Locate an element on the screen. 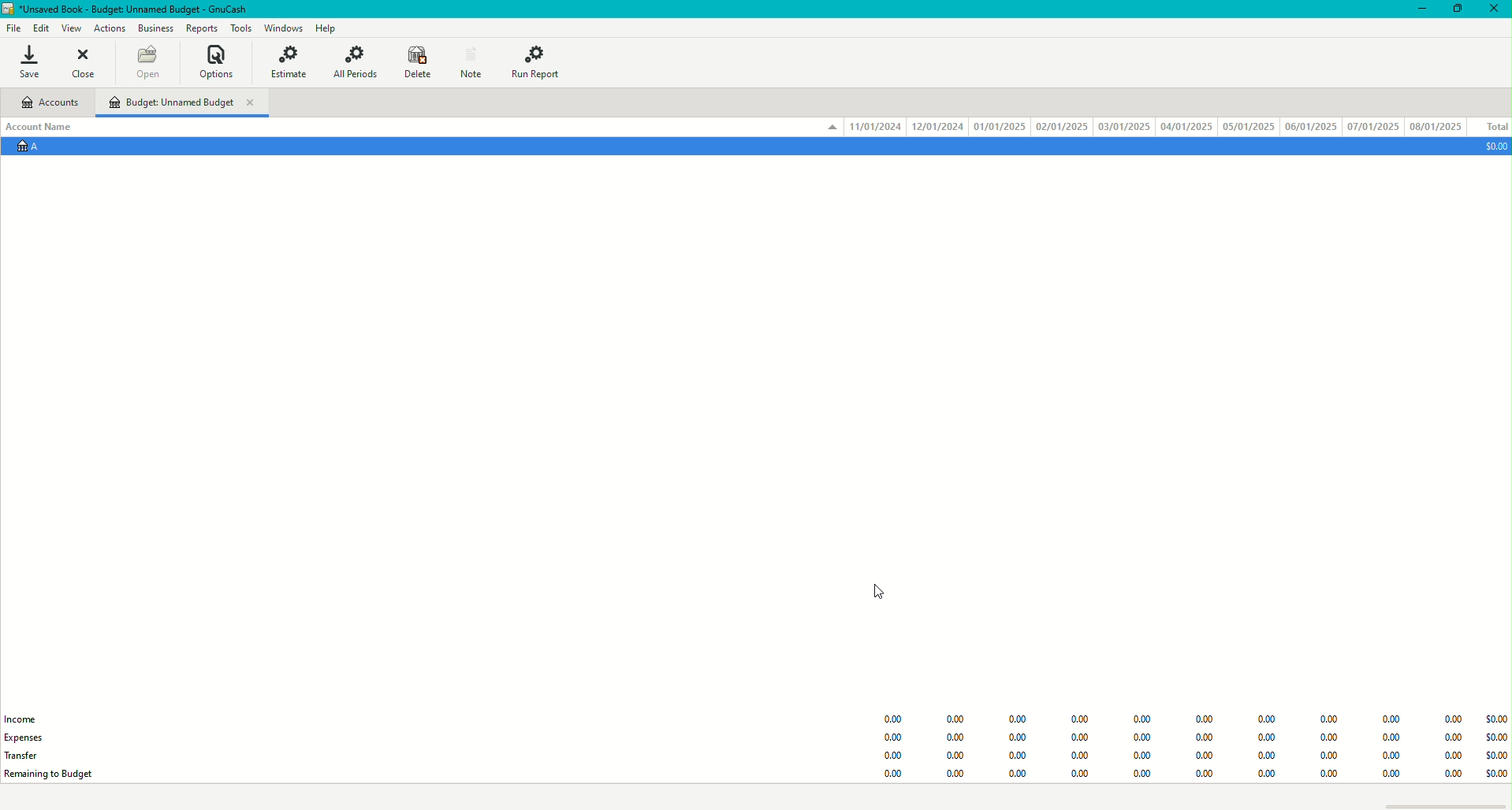 The width and height of the screenshot is (1512, 810). Unnamed Budget is located at coordinates (184, 102).